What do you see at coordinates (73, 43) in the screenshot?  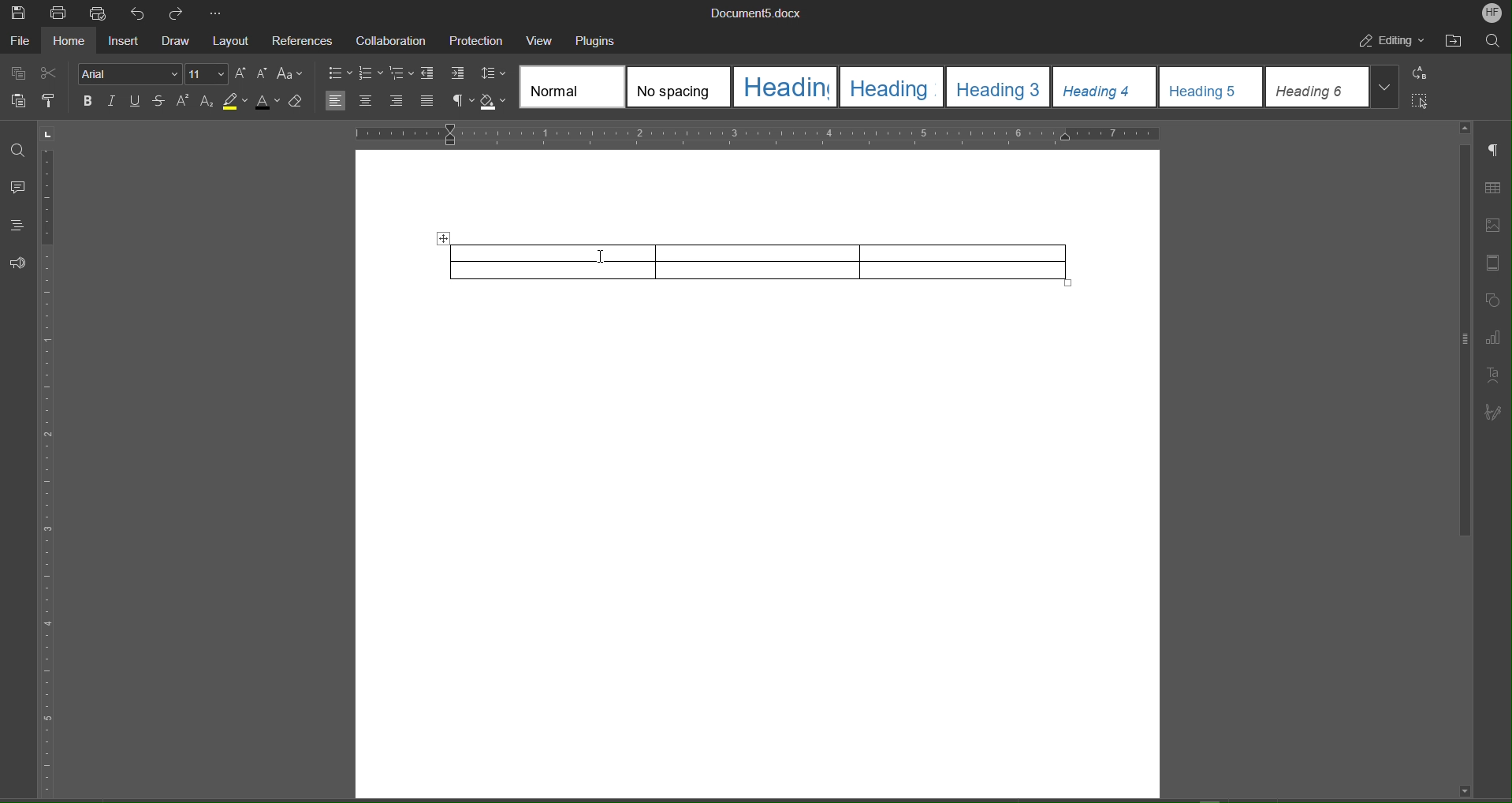 I see `Home` at bounding box center [73, 43].